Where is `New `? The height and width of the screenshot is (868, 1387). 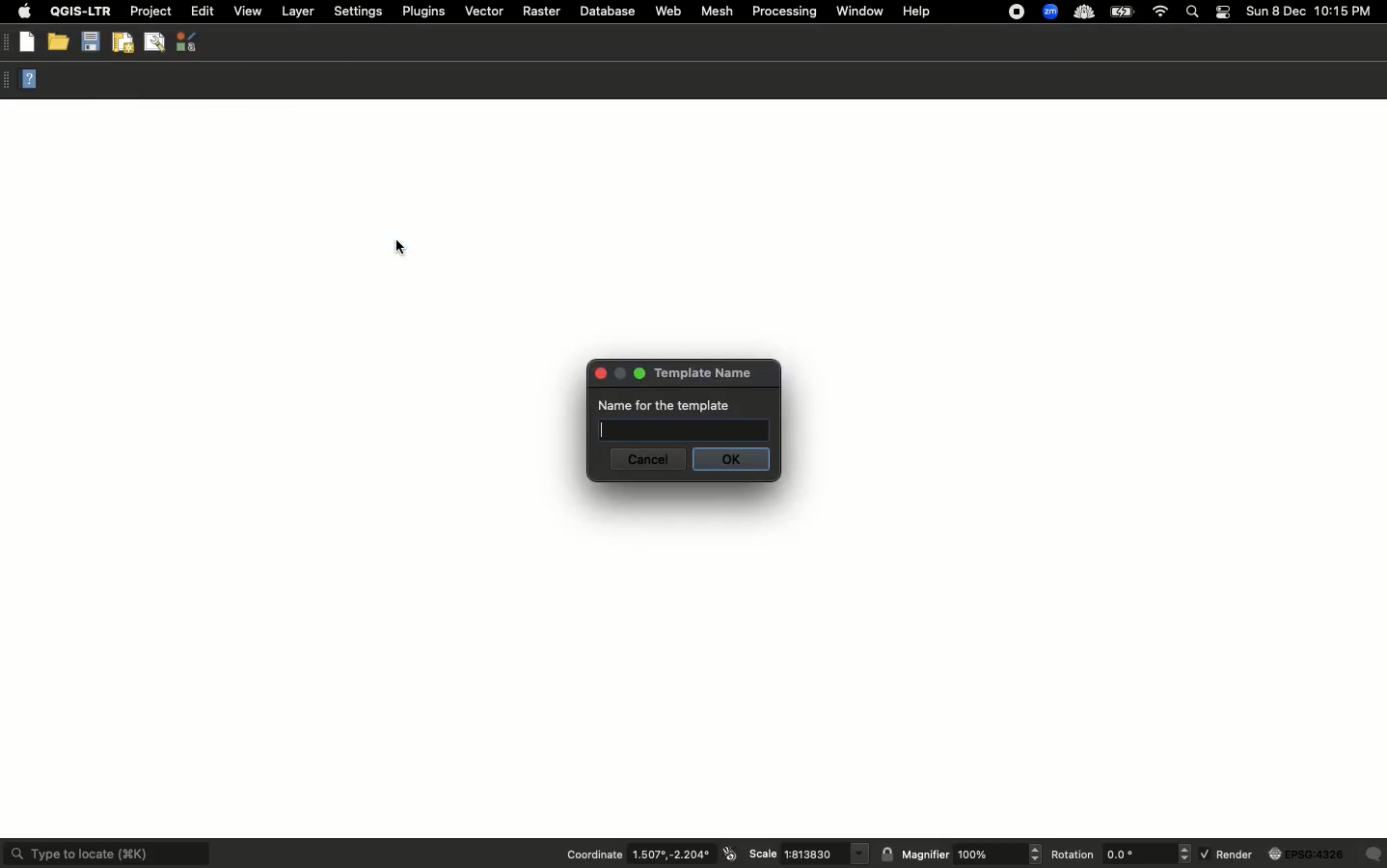 New  is located at coordinates (23, 41).